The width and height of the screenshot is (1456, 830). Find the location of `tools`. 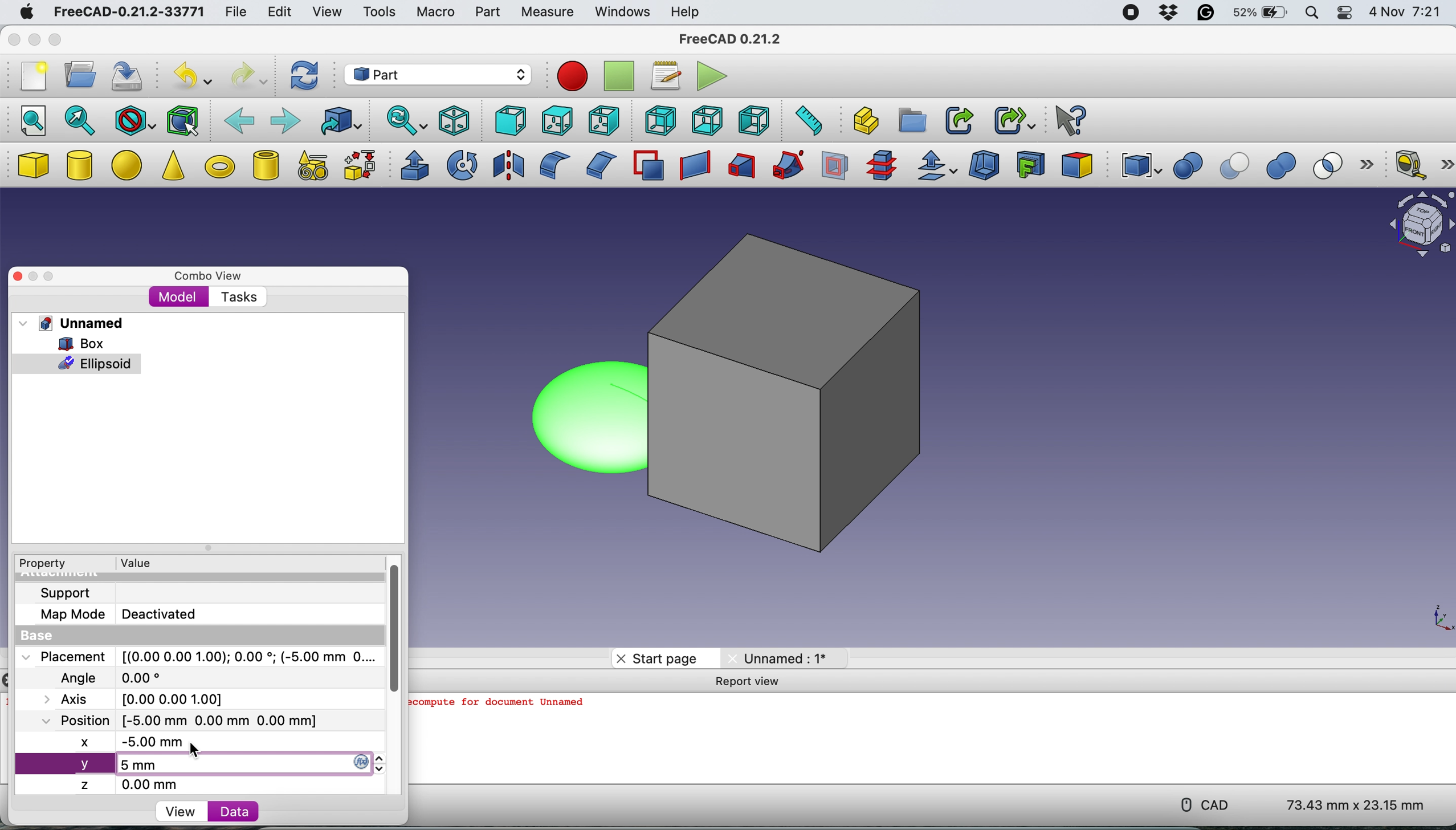

tools is located at coordinates (382, 15).